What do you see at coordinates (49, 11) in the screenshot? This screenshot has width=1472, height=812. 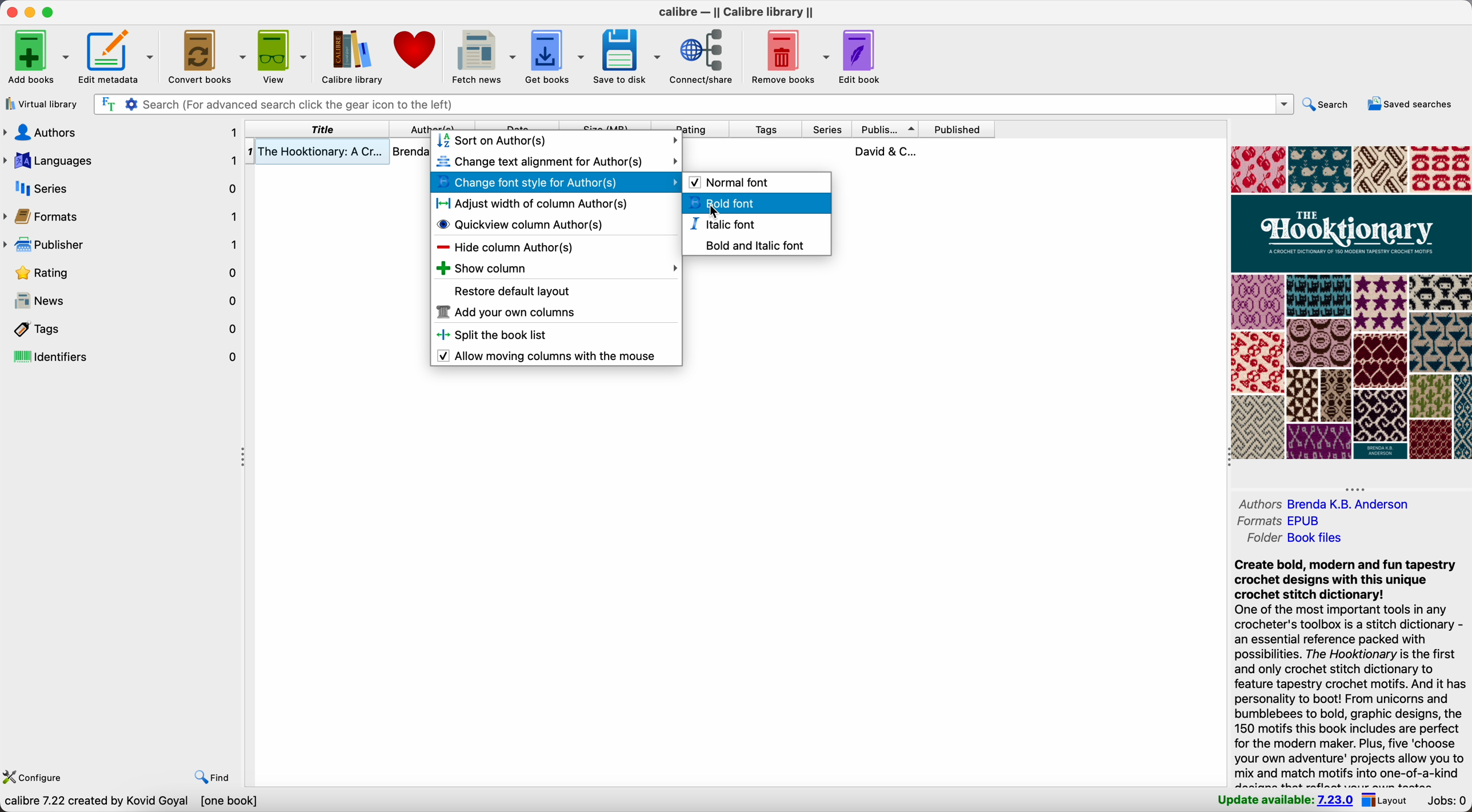 I see `maximize` at bounding box center [49, 11].